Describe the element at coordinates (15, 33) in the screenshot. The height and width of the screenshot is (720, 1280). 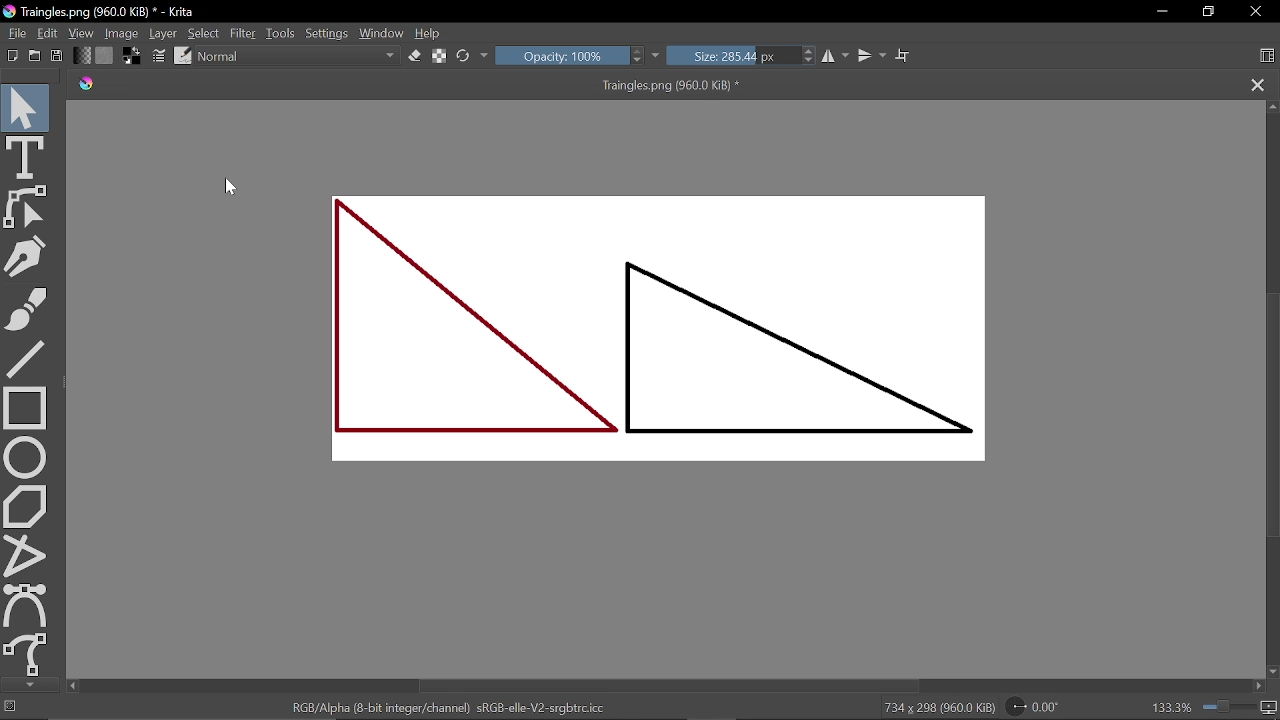
I see `File` at that location.